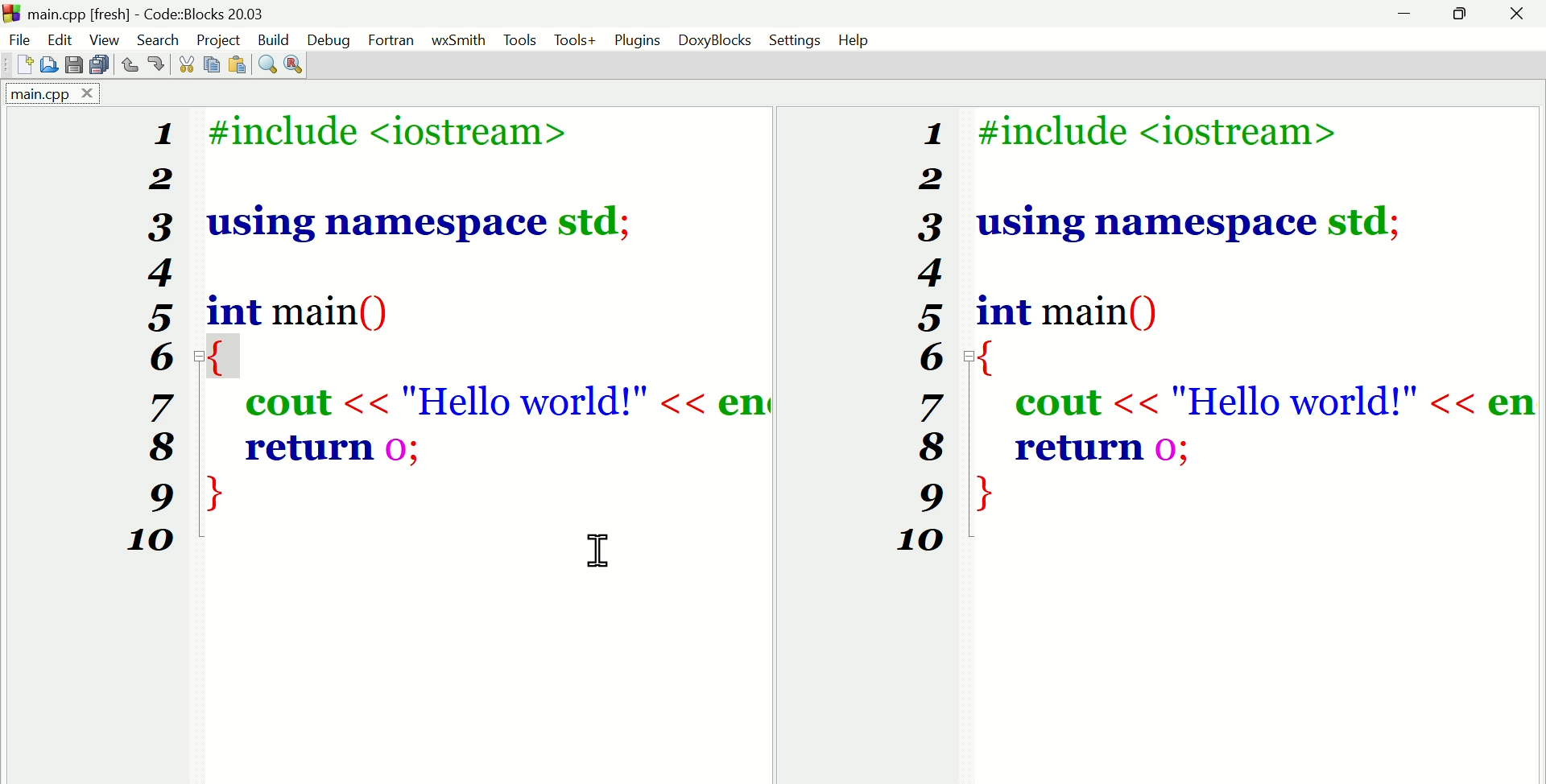 The image size is (1546, 784). What do you see at coordinates (596, 548) in the screenshot?
I see `cursor` at bounding box center [596, 548].